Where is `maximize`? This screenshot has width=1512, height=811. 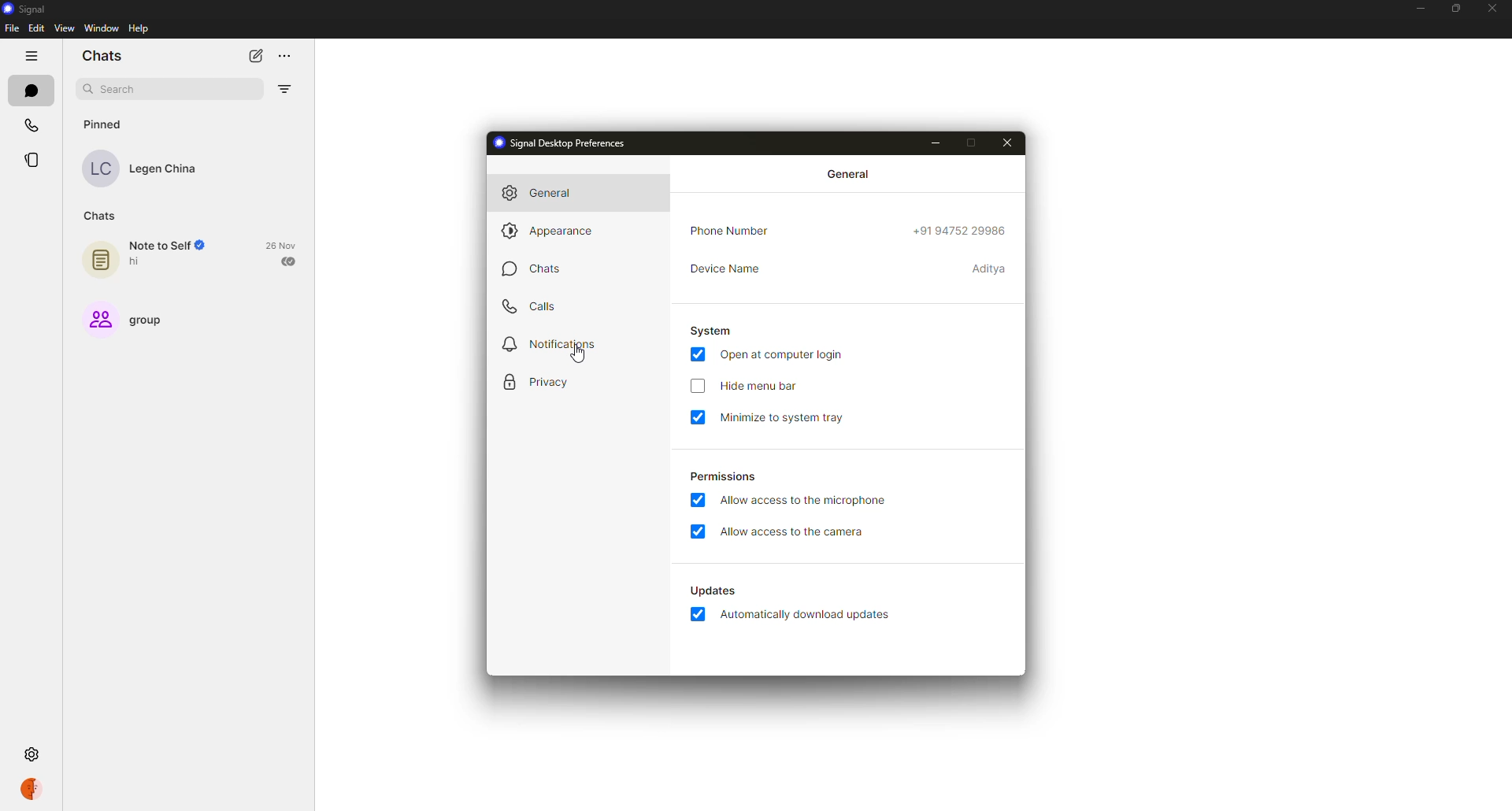
maximize is located at coordinates (1456, 8).